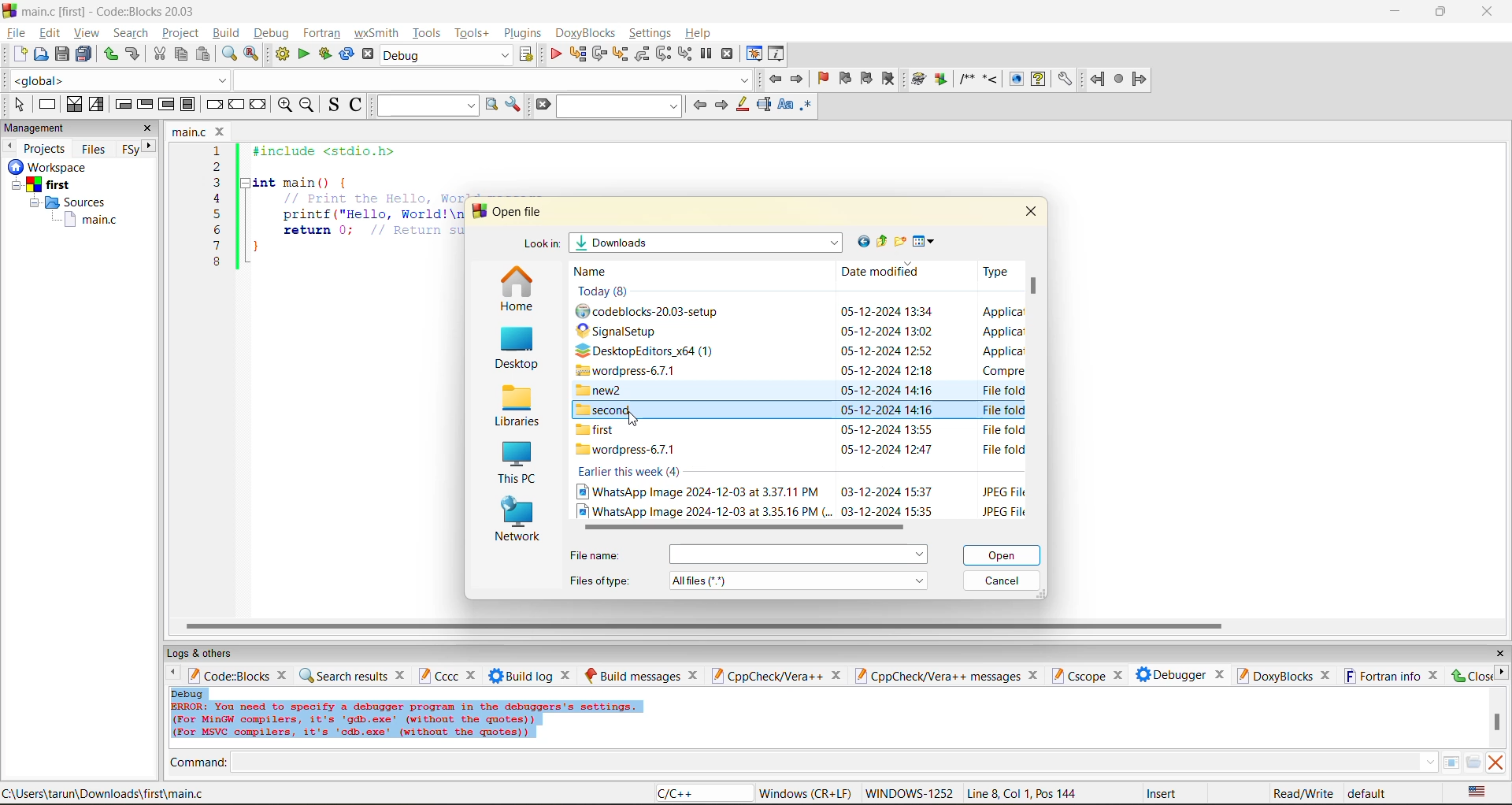  Describe the element at coordinates (514, 350) in the screenshot. I see `desktop` at that location.